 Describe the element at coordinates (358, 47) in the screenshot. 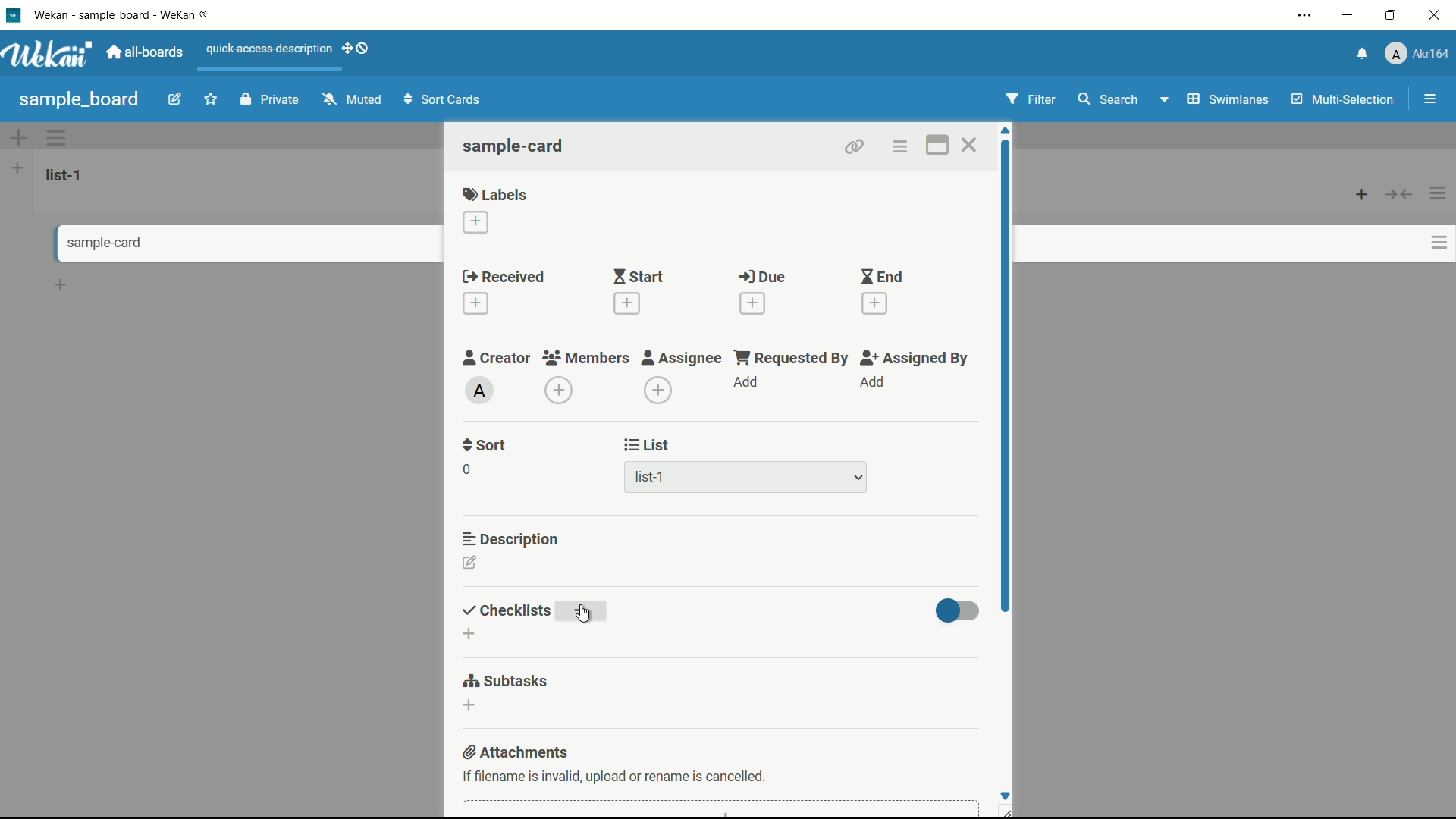

I see `show-desktop-drag-handles` at that location.